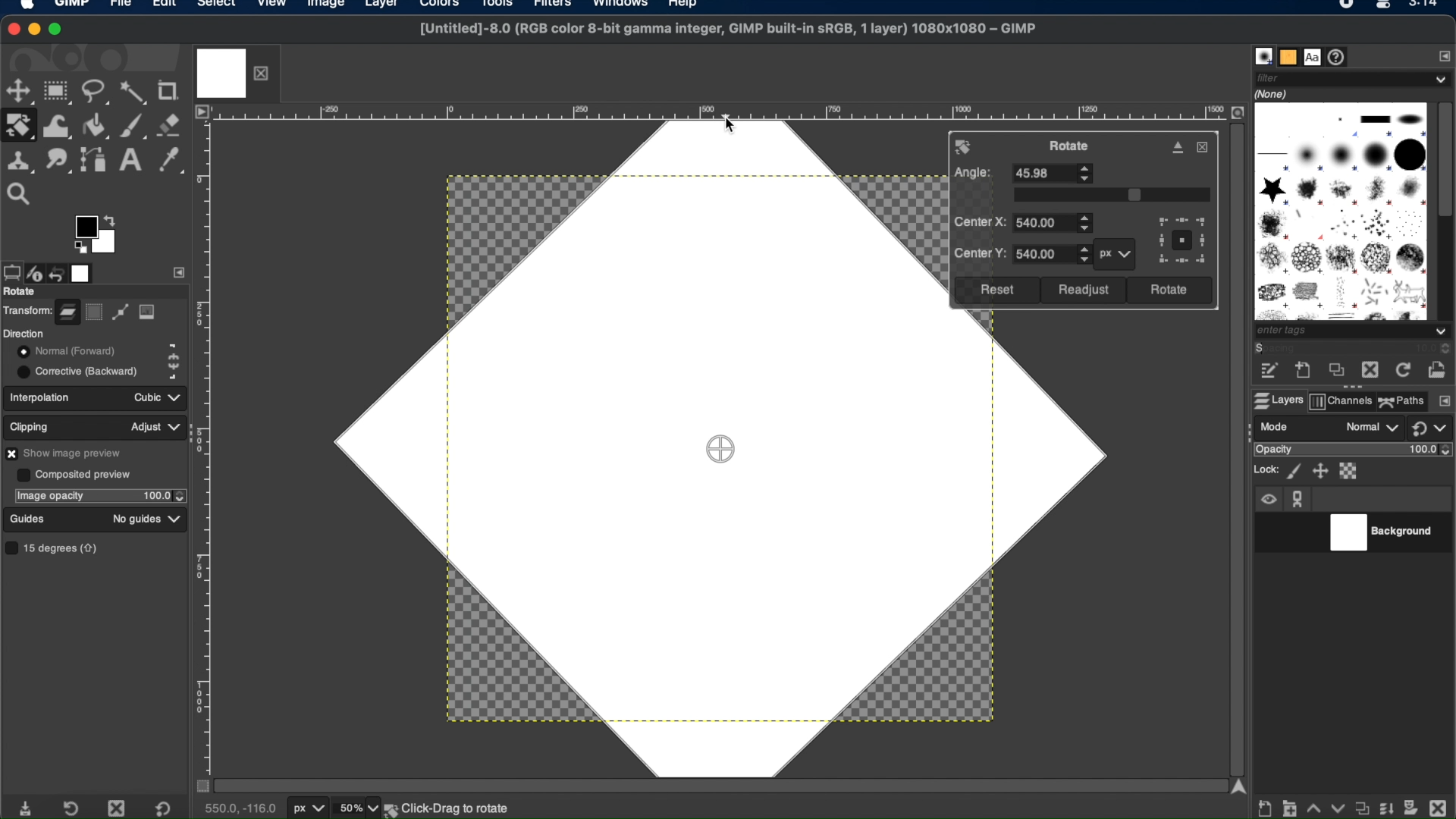 This screenshot has height=819, width=1456. Describe the element at coordinates (1084, 290) in the screenshot. I see `readjust` at that location.